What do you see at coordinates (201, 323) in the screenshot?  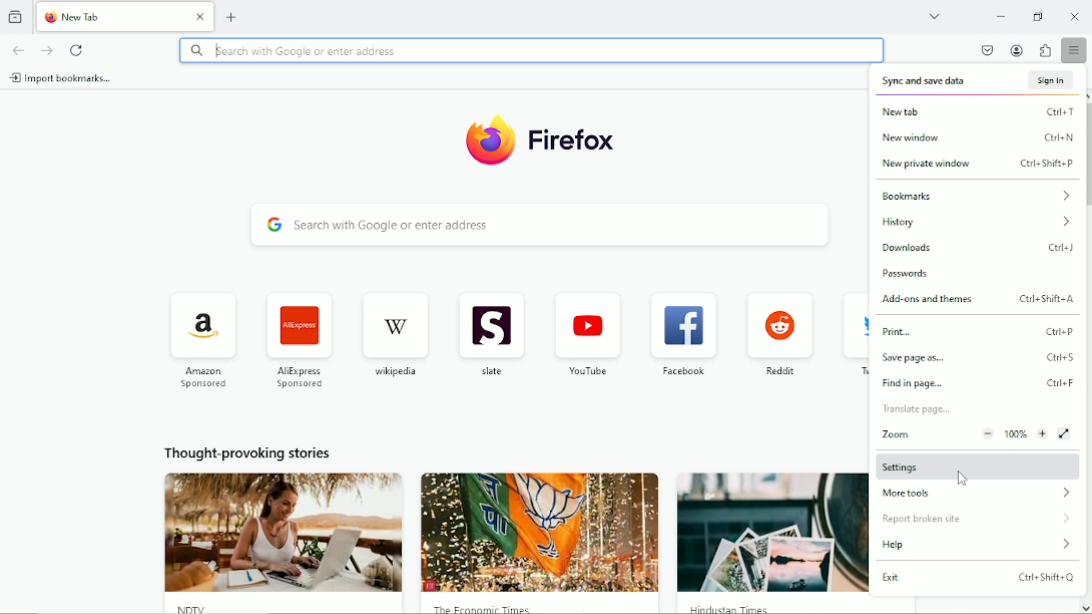 I see `icon` at bounding box center [201, 323].